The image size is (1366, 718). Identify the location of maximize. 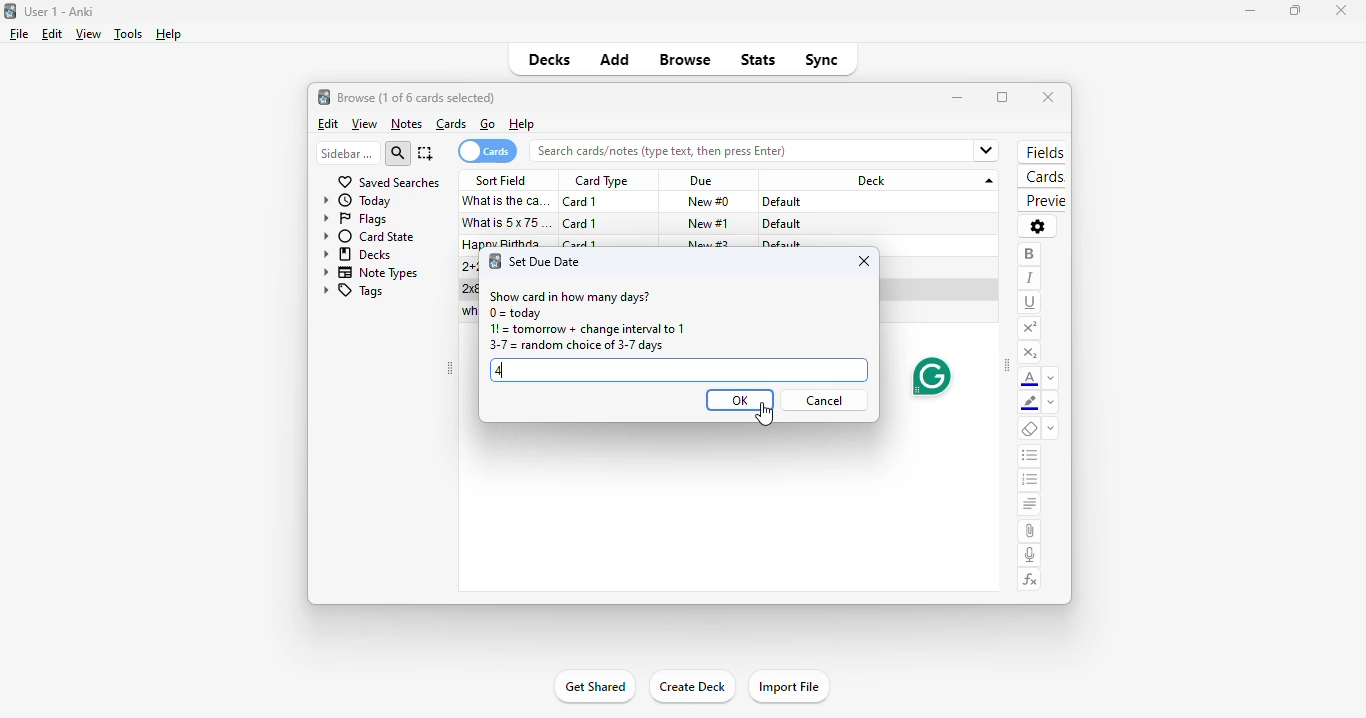
(1294, 12).